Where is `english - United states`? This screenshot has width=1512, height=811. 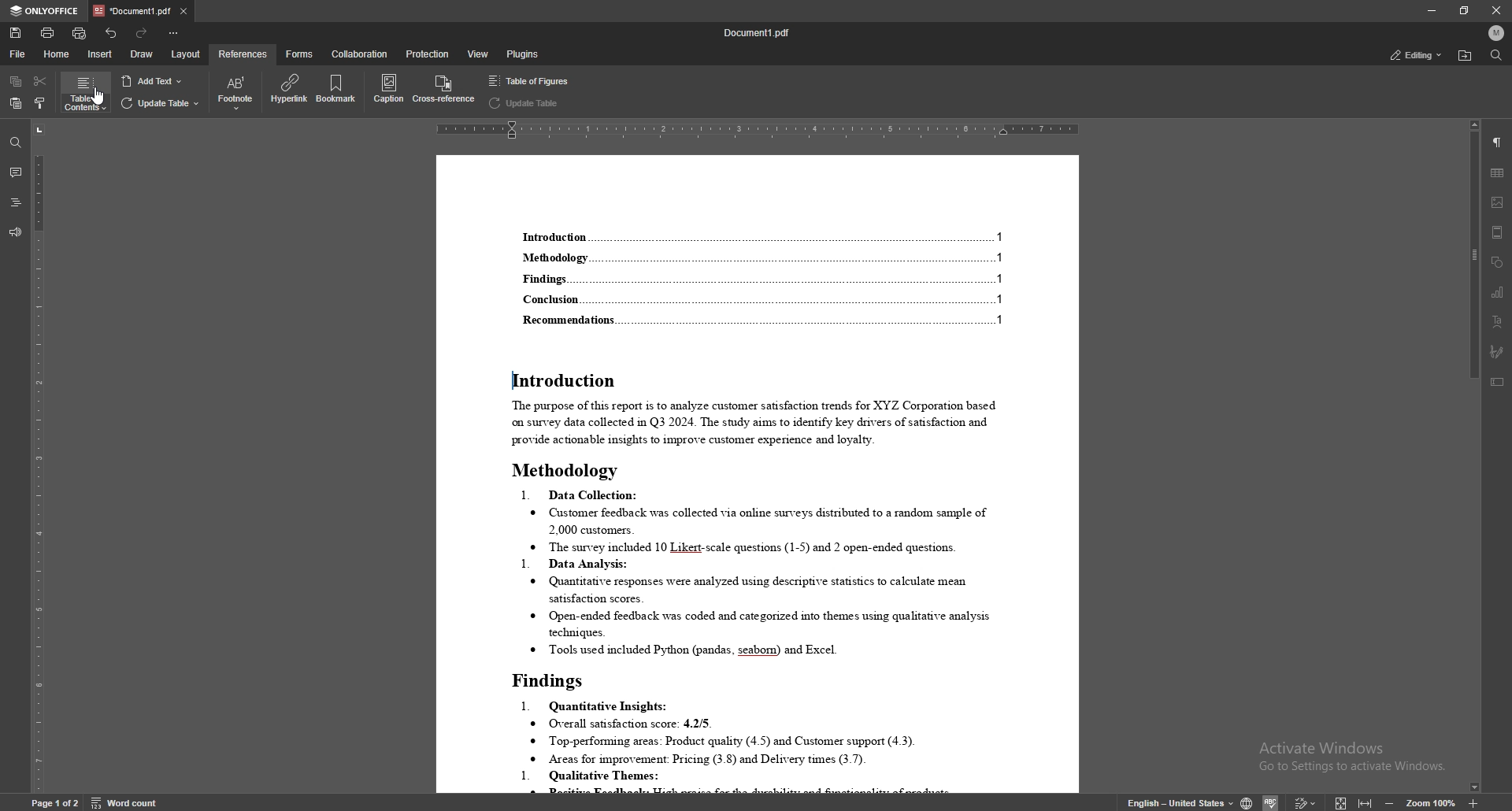 english - United states is located at coordinates (1181, 803).